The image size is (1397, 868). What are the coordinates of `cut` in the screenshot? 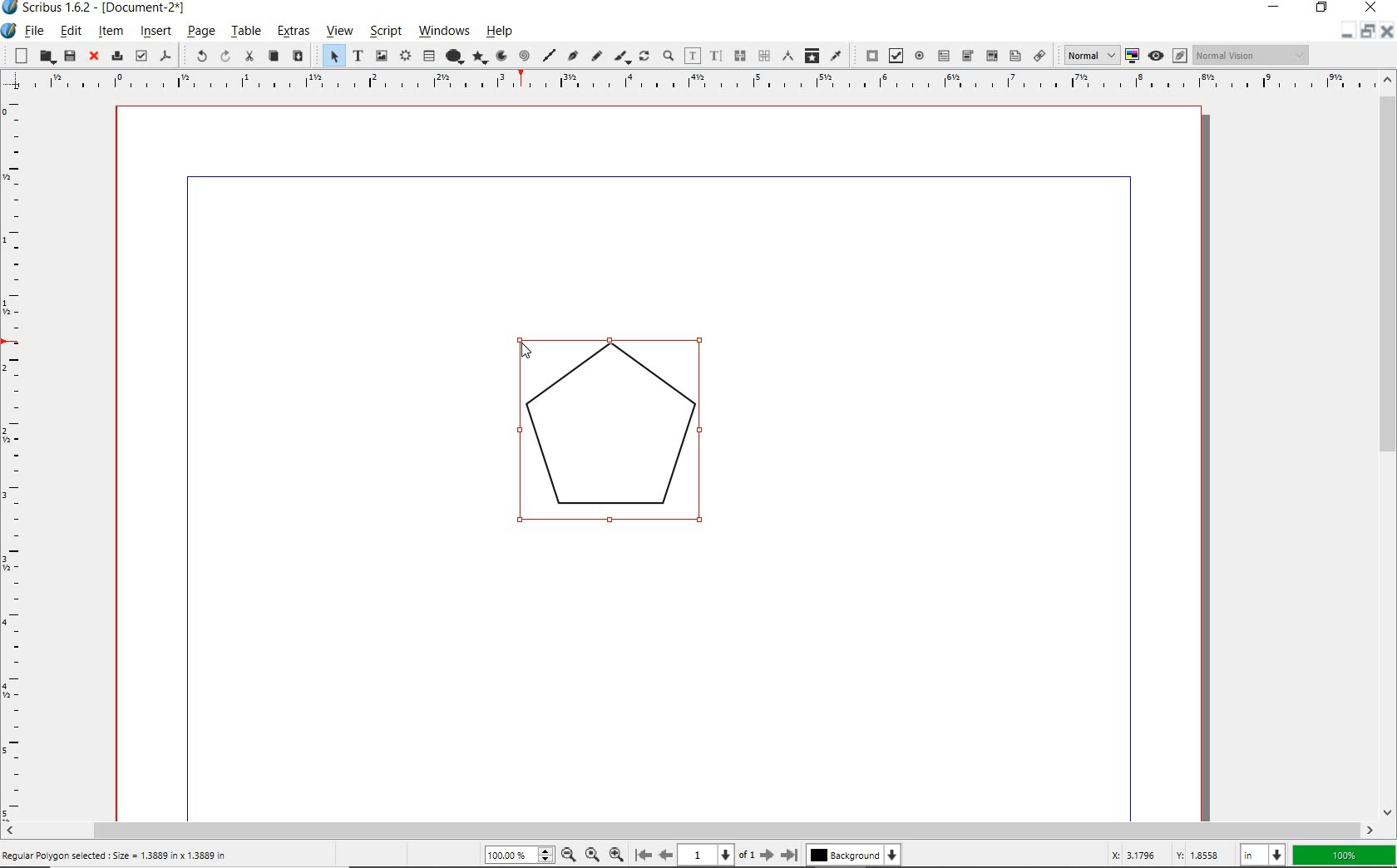 It's located at (251, 57).